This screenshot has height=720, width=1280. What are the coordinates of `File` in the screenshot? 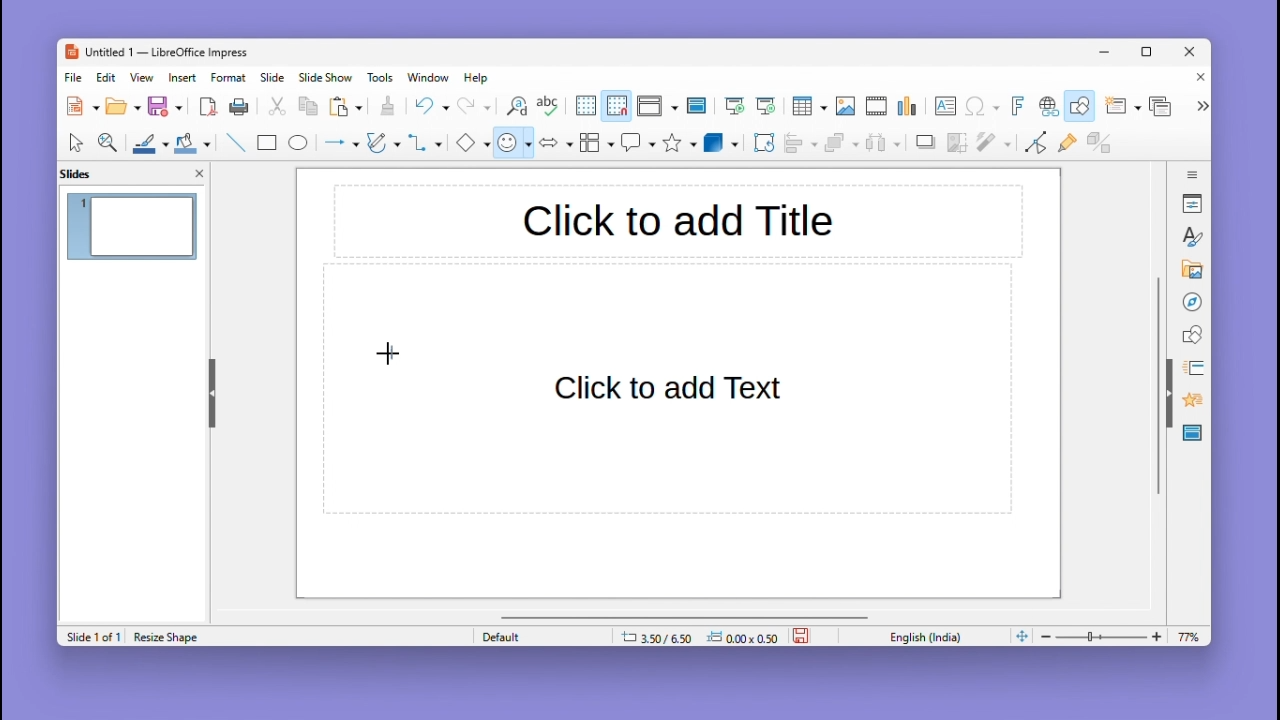 It's located at (74, 78).